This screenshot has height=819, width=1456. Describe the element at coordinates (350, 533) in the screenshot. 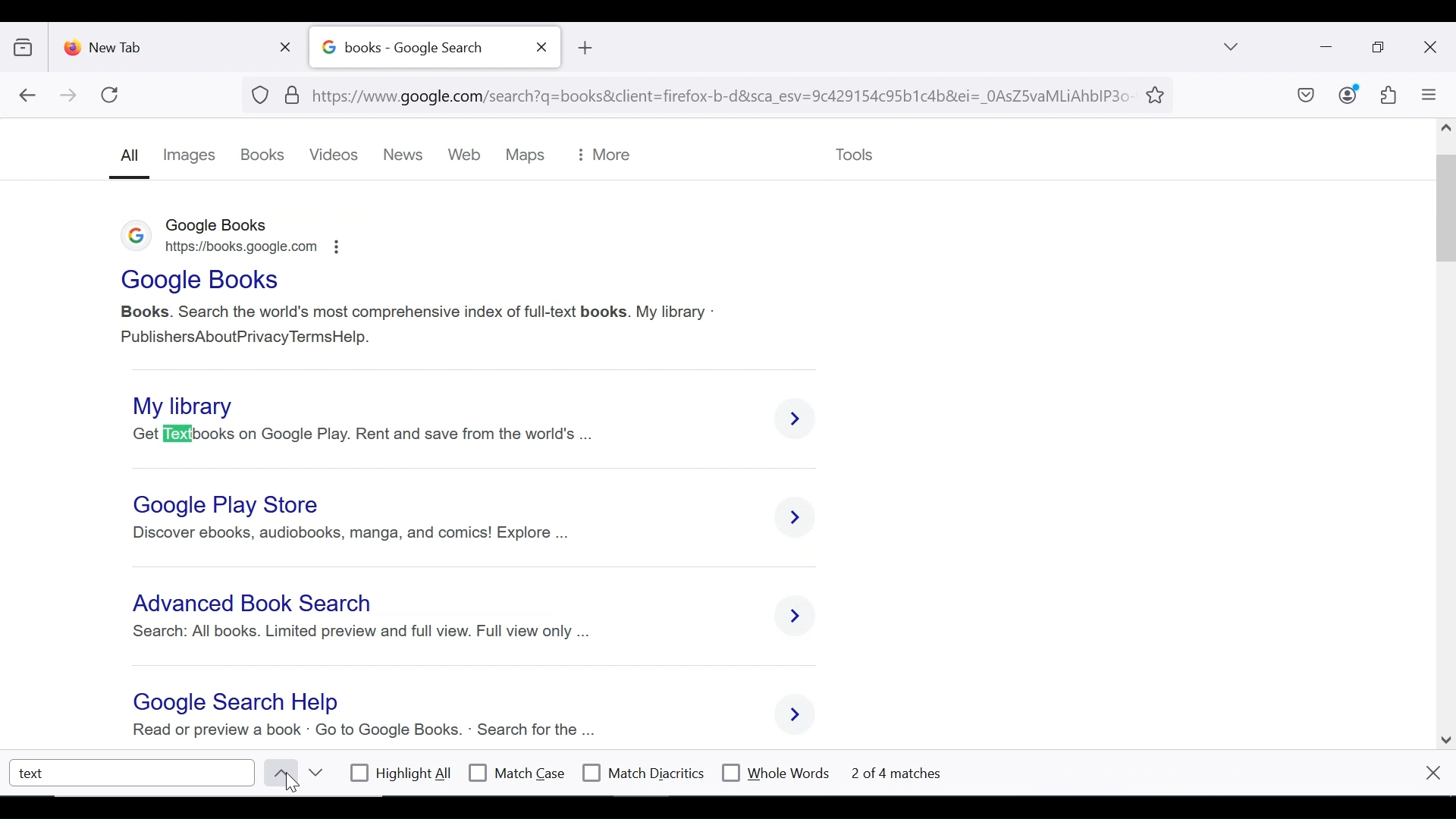

I see `Discover ebooks, audiobooks, manga, and comics! Explore ...` at that location.